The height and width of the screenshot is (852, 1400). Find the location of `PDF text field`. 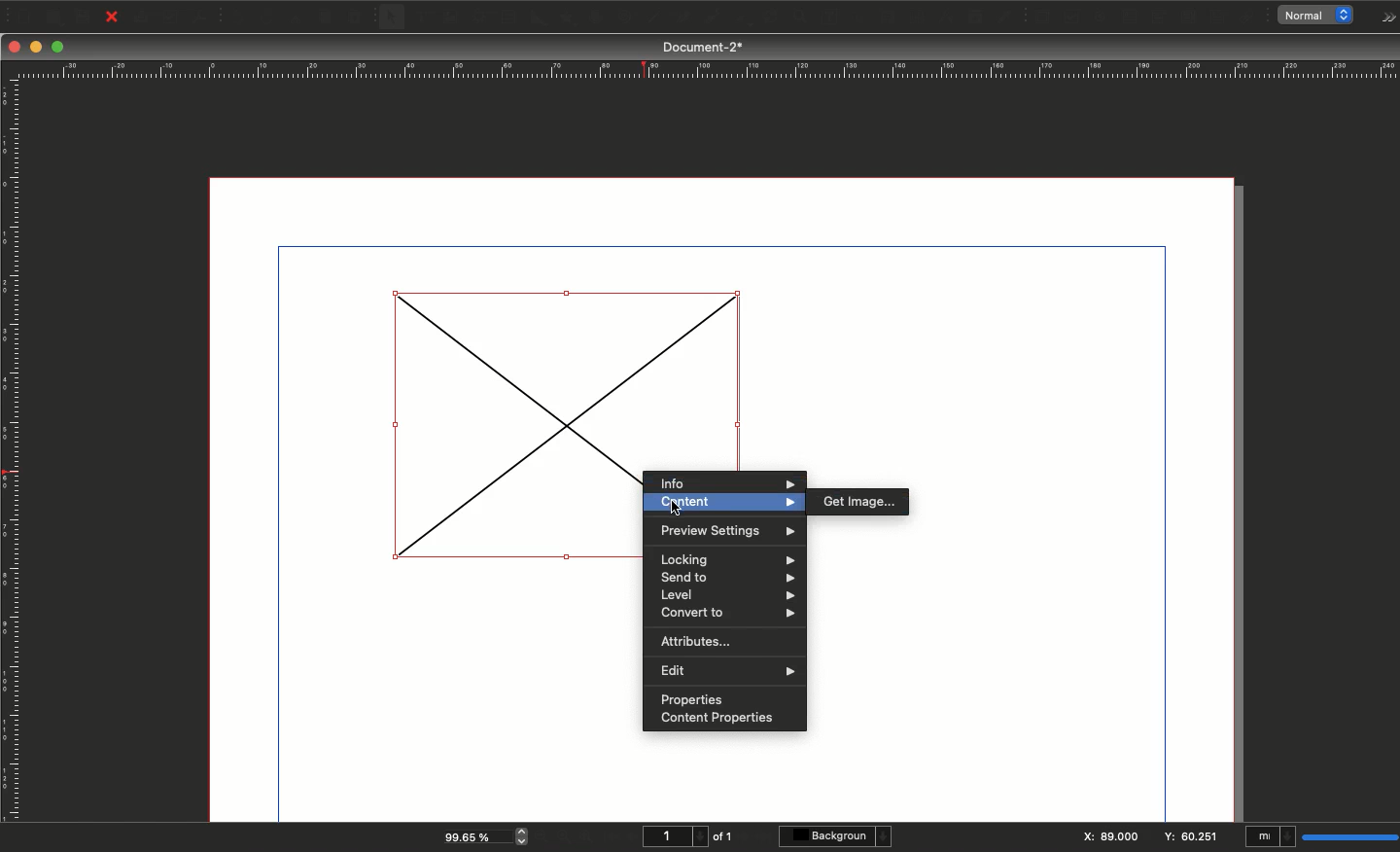

PDF text field is located at coordinates (1129, 18).